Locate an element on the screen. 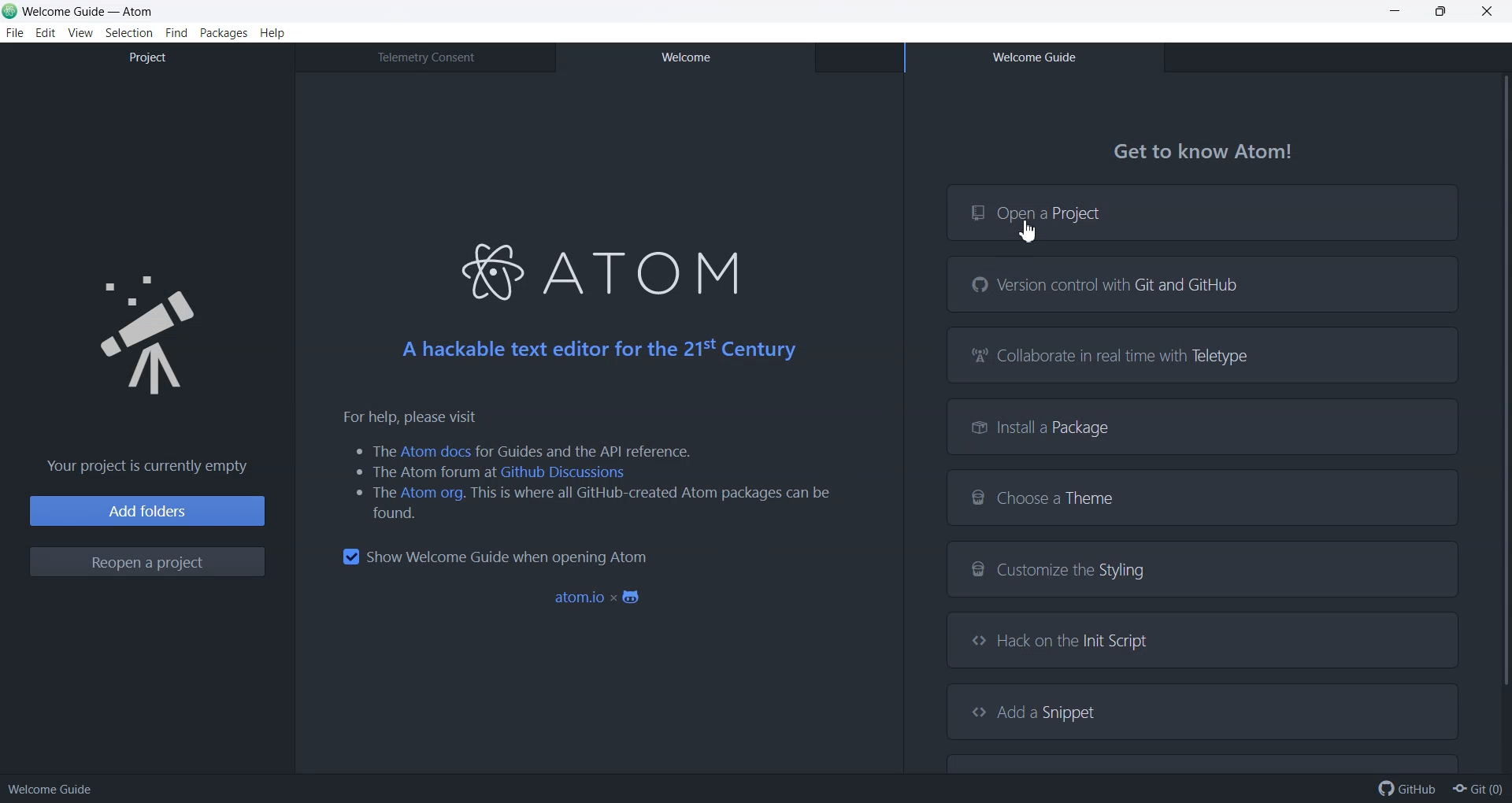 Image resolution: width=1512 pixels, height=803 pixels. For help, please visit is located at coordinates (399, 417).